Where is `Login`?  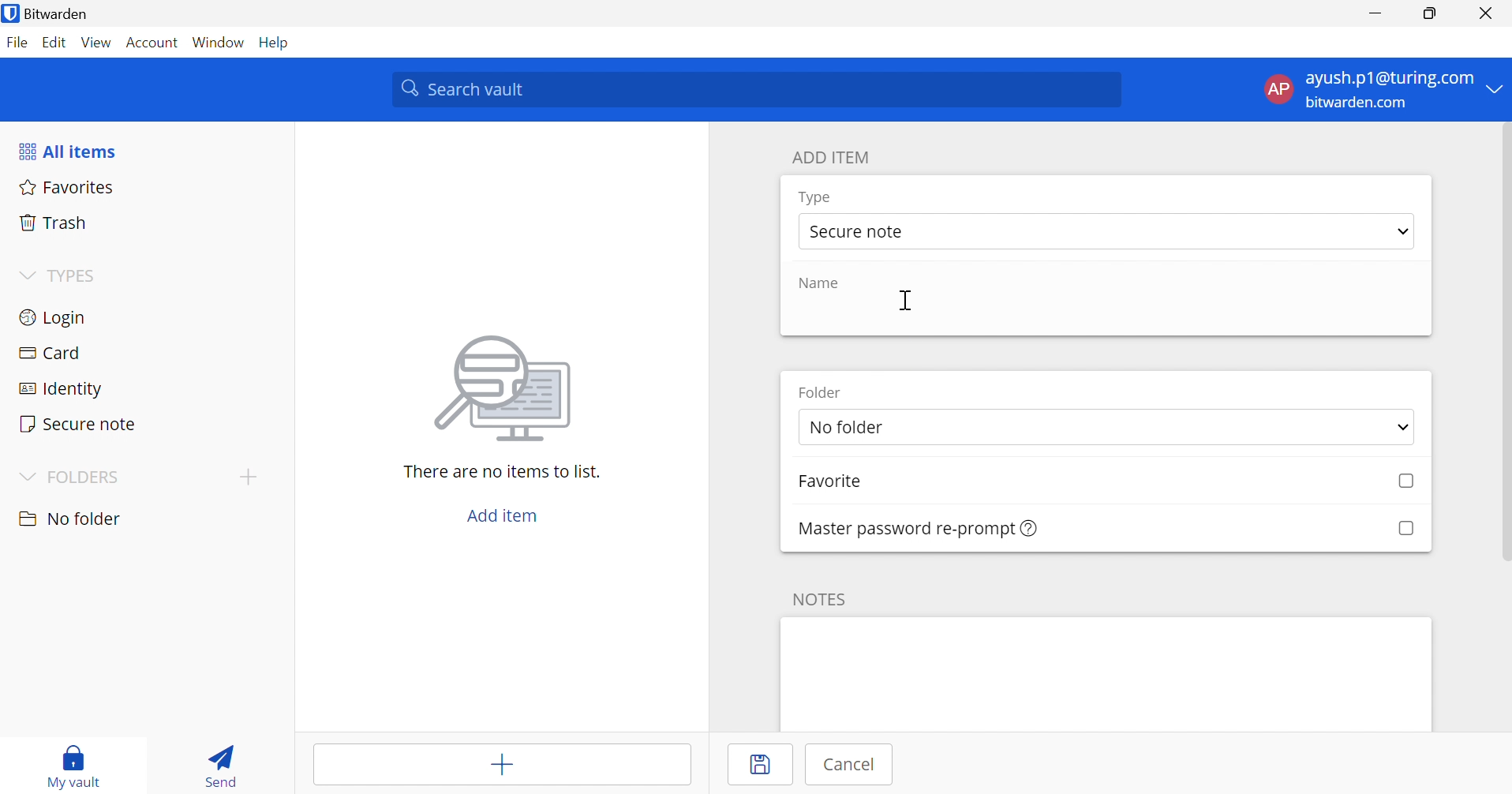 Login is located at coordinates (51, 320).